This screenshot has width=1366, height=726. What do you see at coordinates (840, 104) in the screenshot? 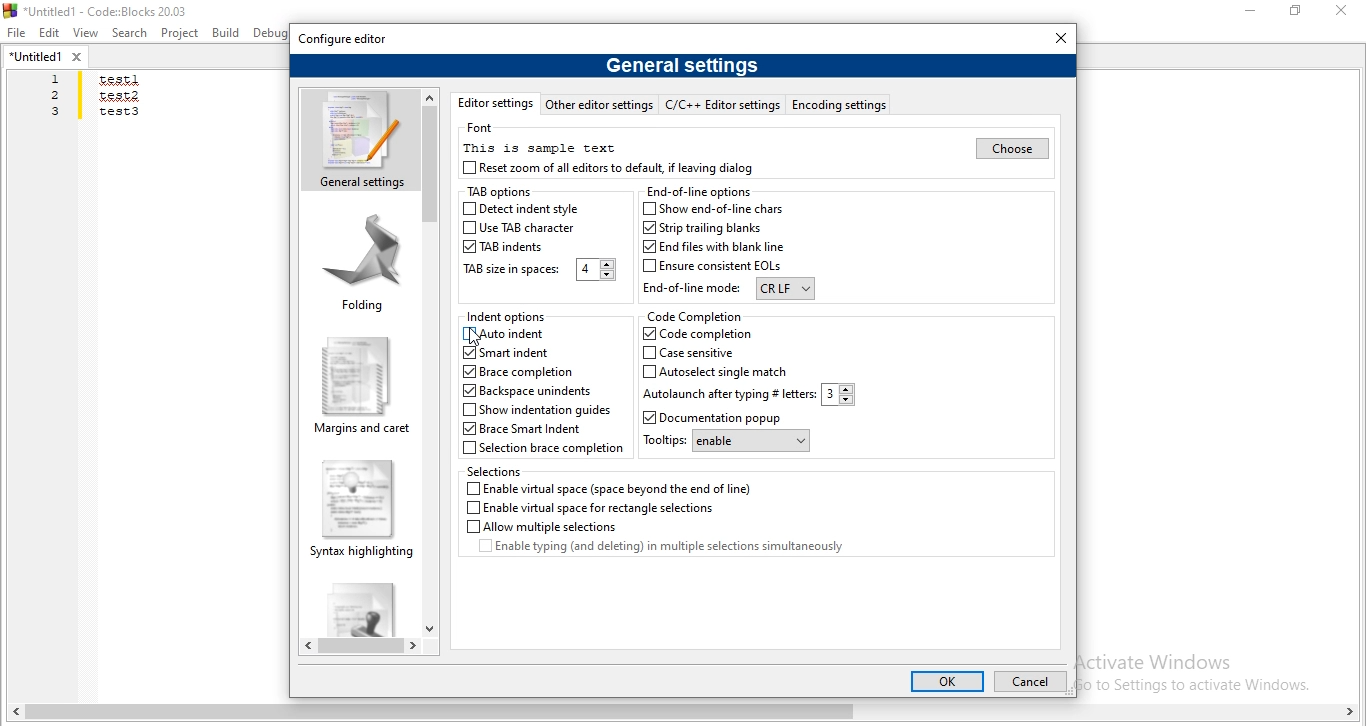
I see `Encoding settings` at bounding box center [840, 104].